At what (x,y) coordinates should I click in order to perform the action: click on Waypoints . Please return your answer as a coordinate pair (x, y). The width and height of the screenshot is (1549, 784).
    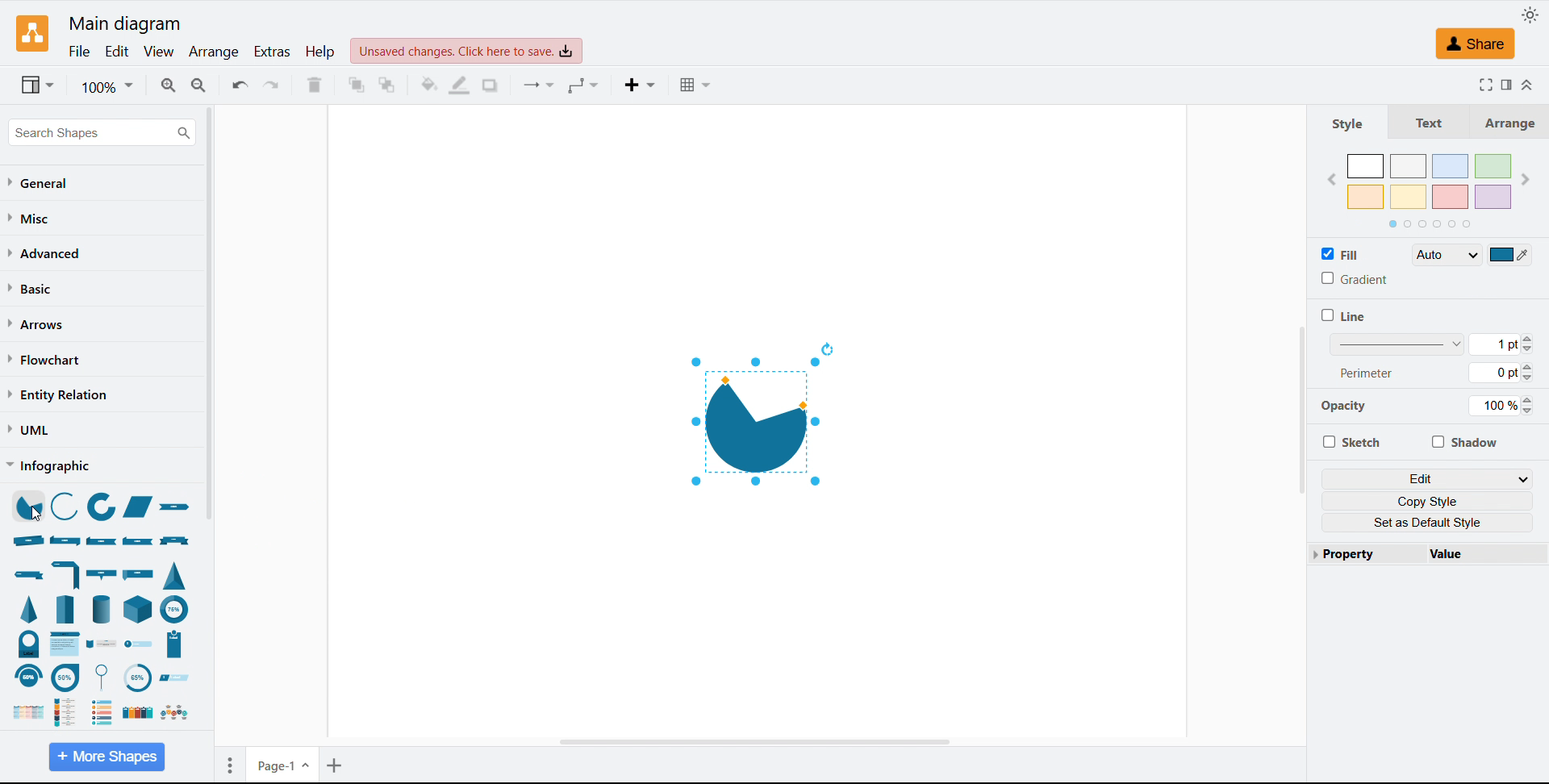
    Looking at the image, I should click on (586, 85).